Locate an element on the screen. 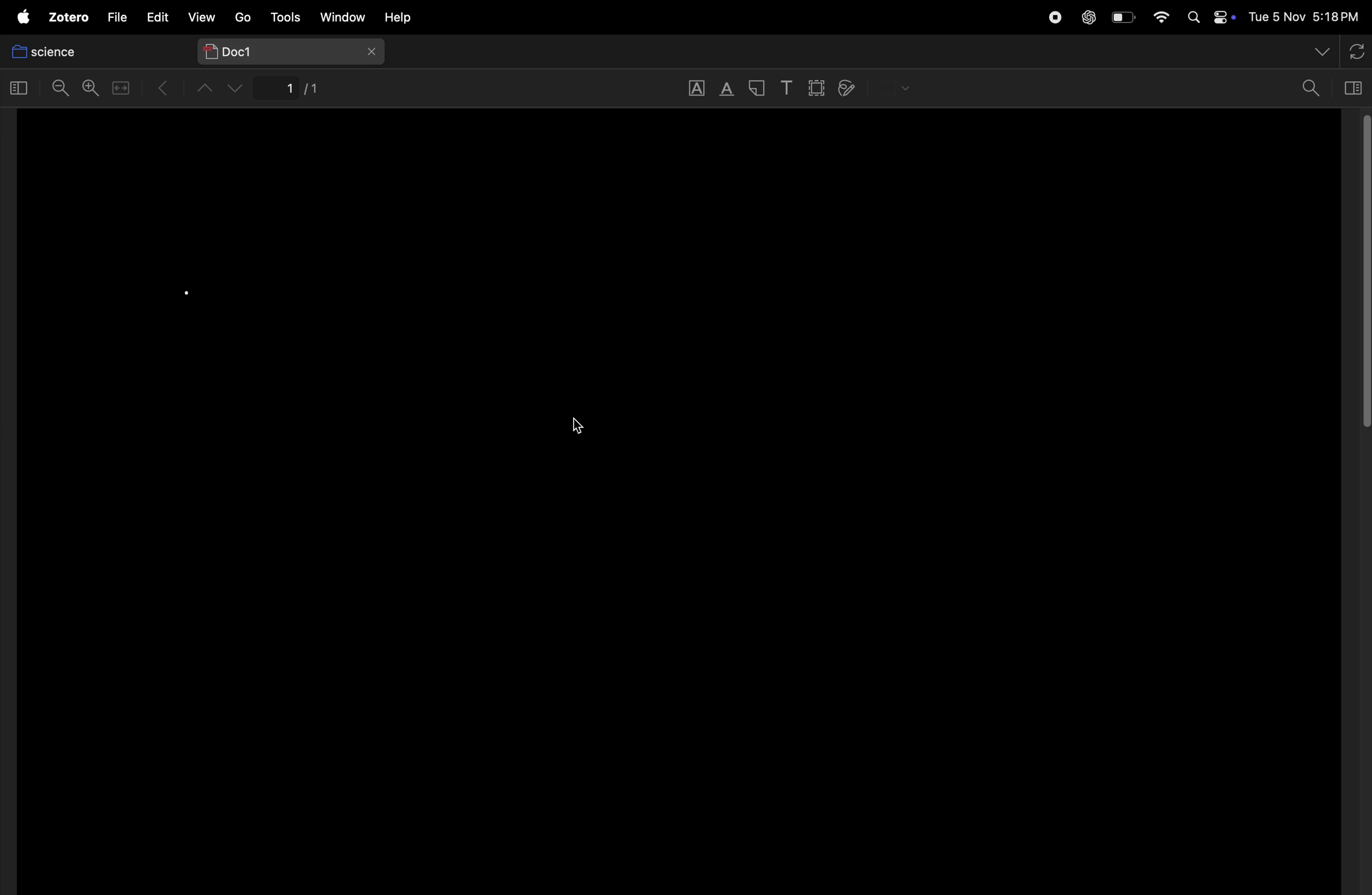 The width and height of the screenshot is (1372, 895). apple menu is located at coordinates (22, 17).